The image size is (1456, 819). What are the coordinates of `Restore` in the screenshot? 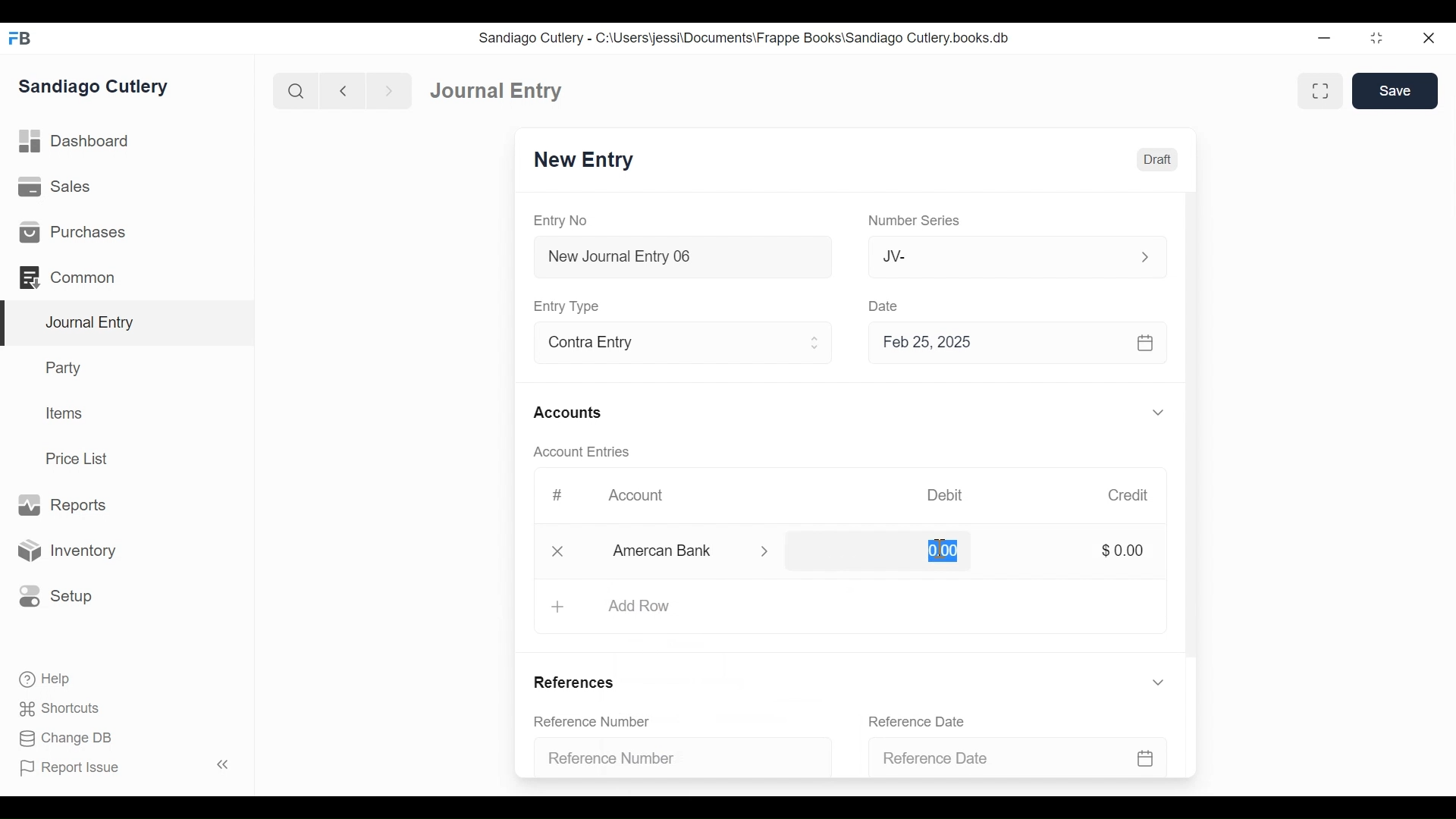 It's located at (1379, 37).